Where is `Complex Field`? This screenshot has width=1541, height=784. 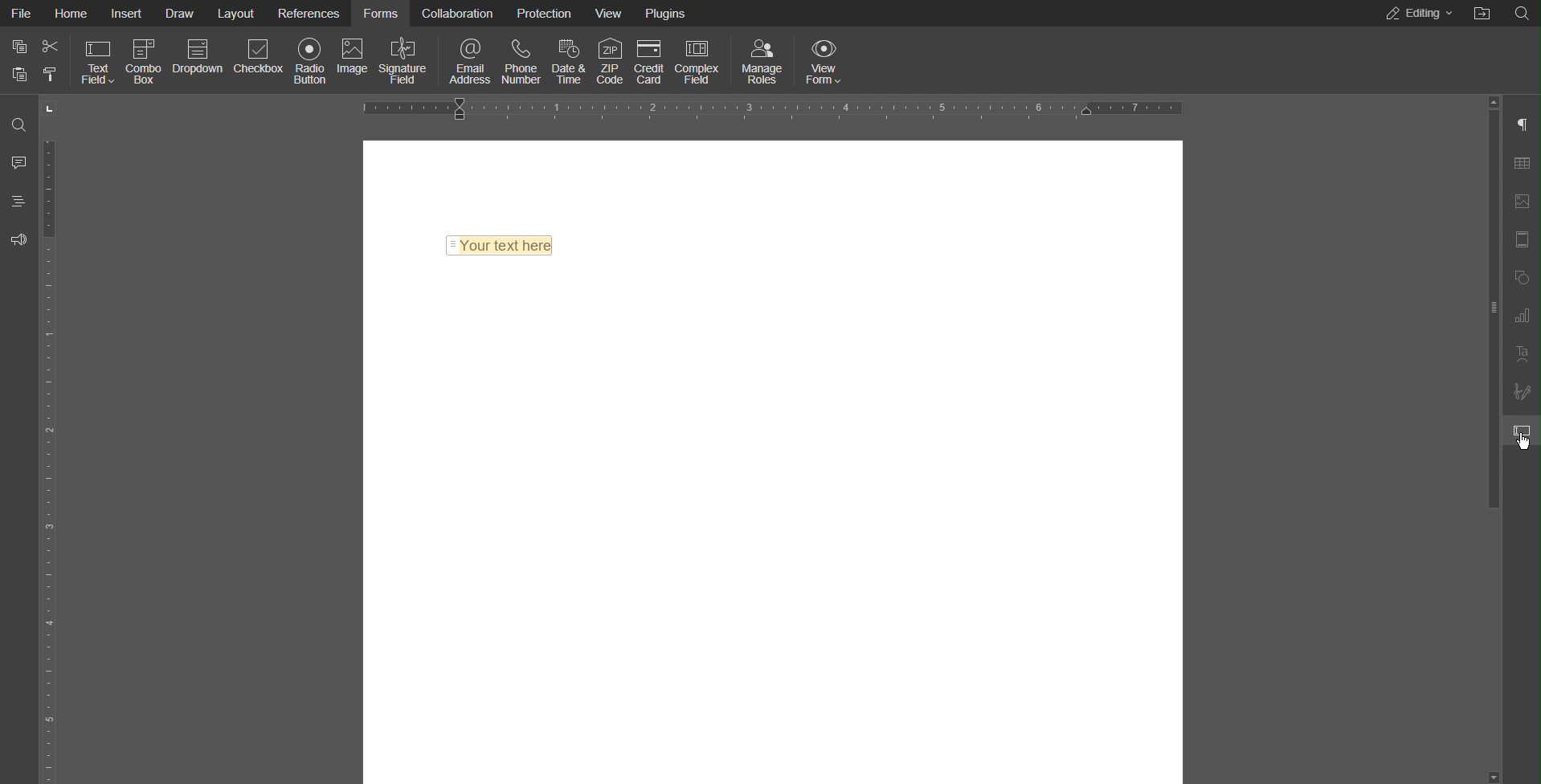
Complex Field is located at coordinates (699, 60).